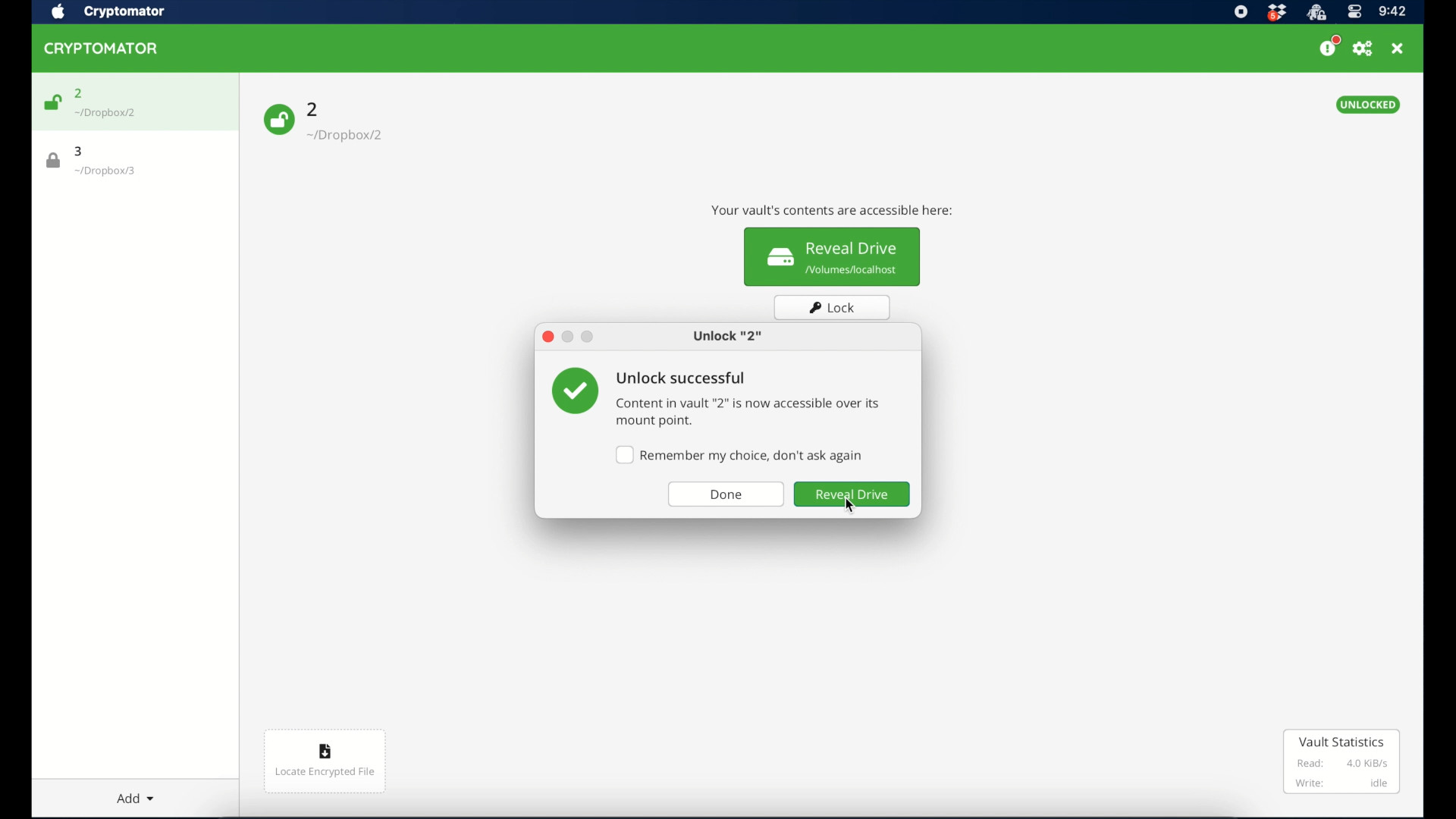 The image size is (1456, 819). Describe the element at coordinates (1240, 12) in the screenshot. I see `screen recorder icon` at that location.